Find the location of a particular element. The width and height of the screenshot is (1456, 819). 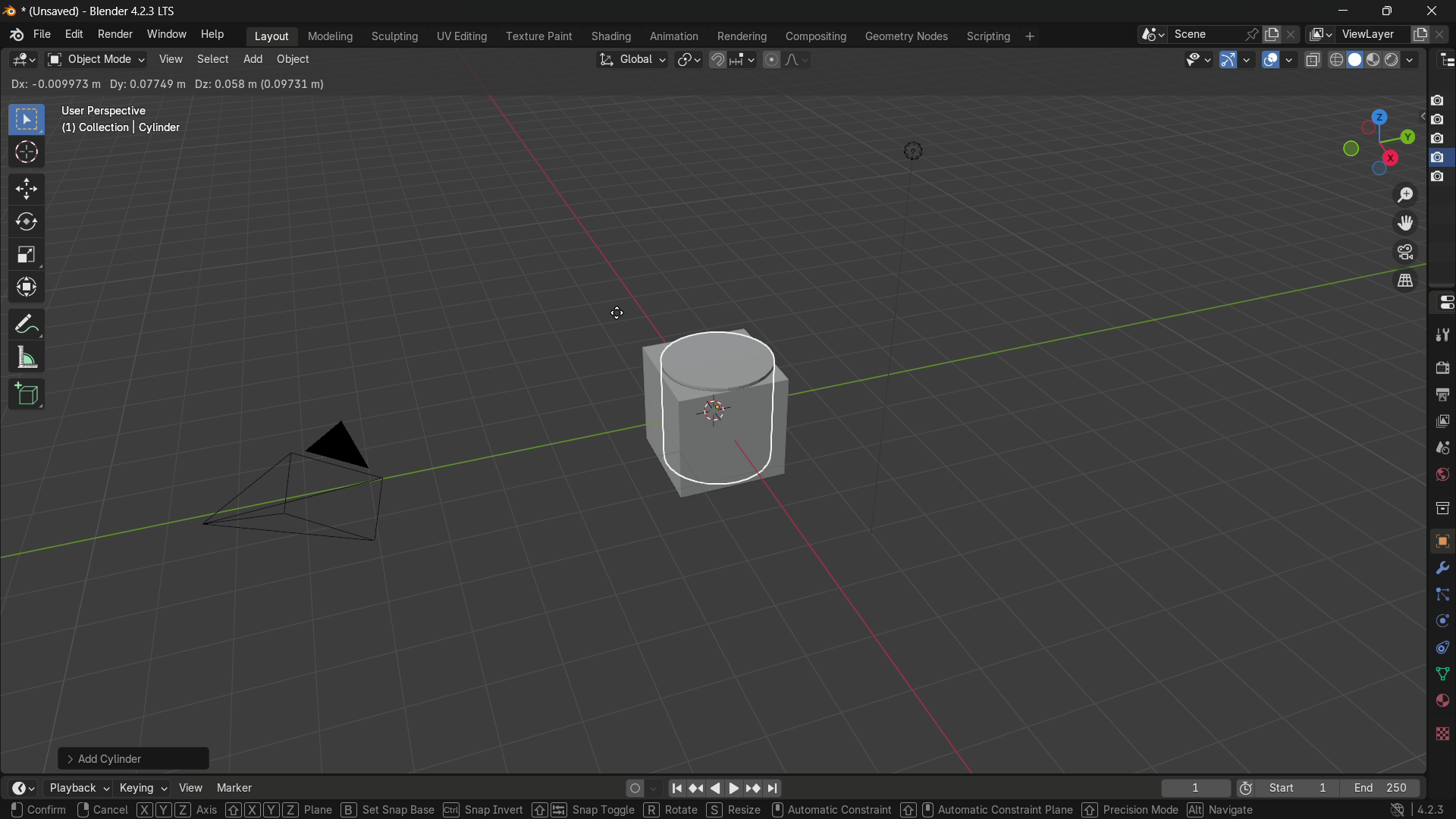

world is located at coordinates (1441, 476).